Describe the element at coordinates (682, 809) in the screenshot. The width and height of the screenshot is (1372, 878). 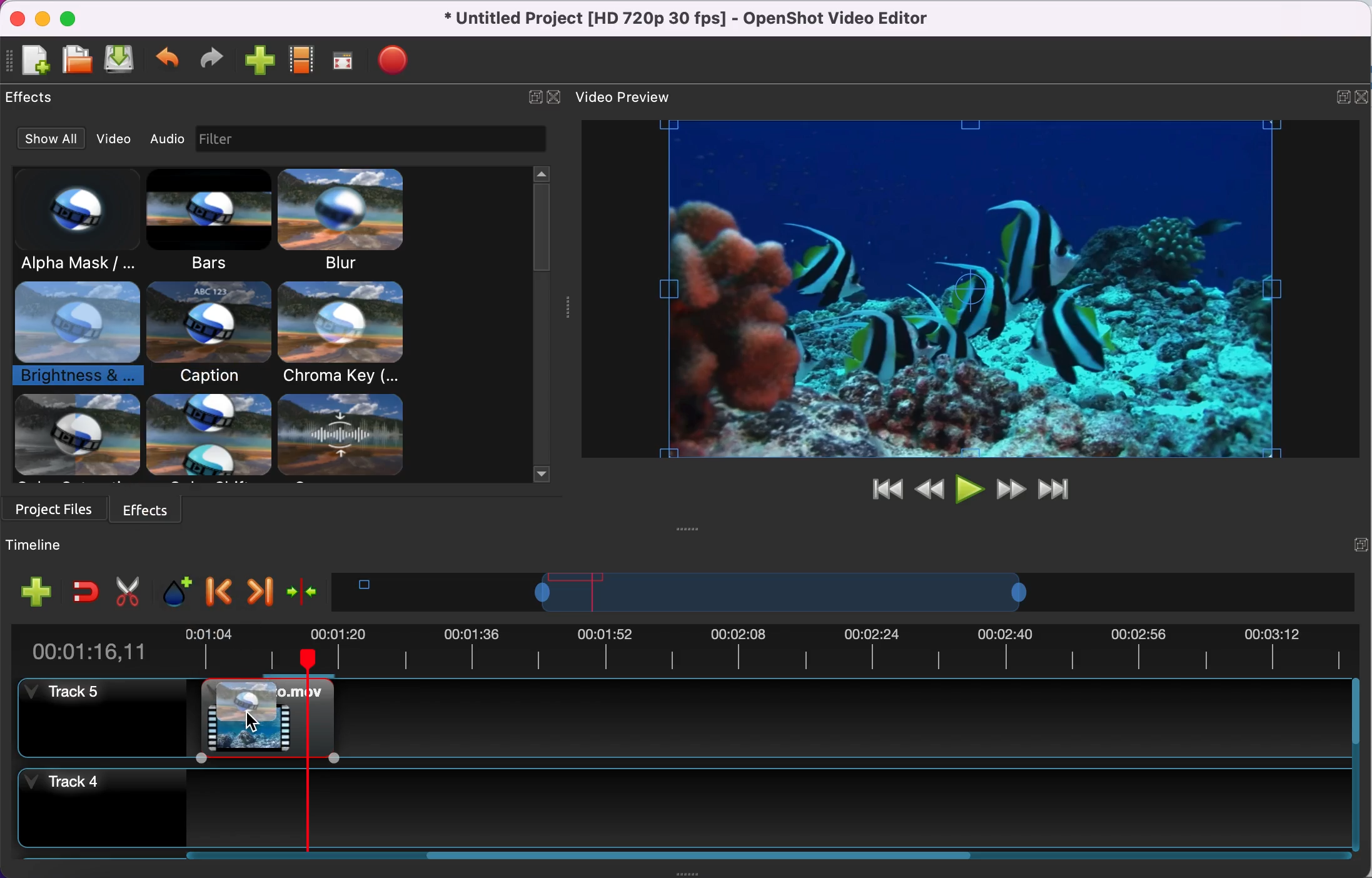
I see `track 4` at that location.